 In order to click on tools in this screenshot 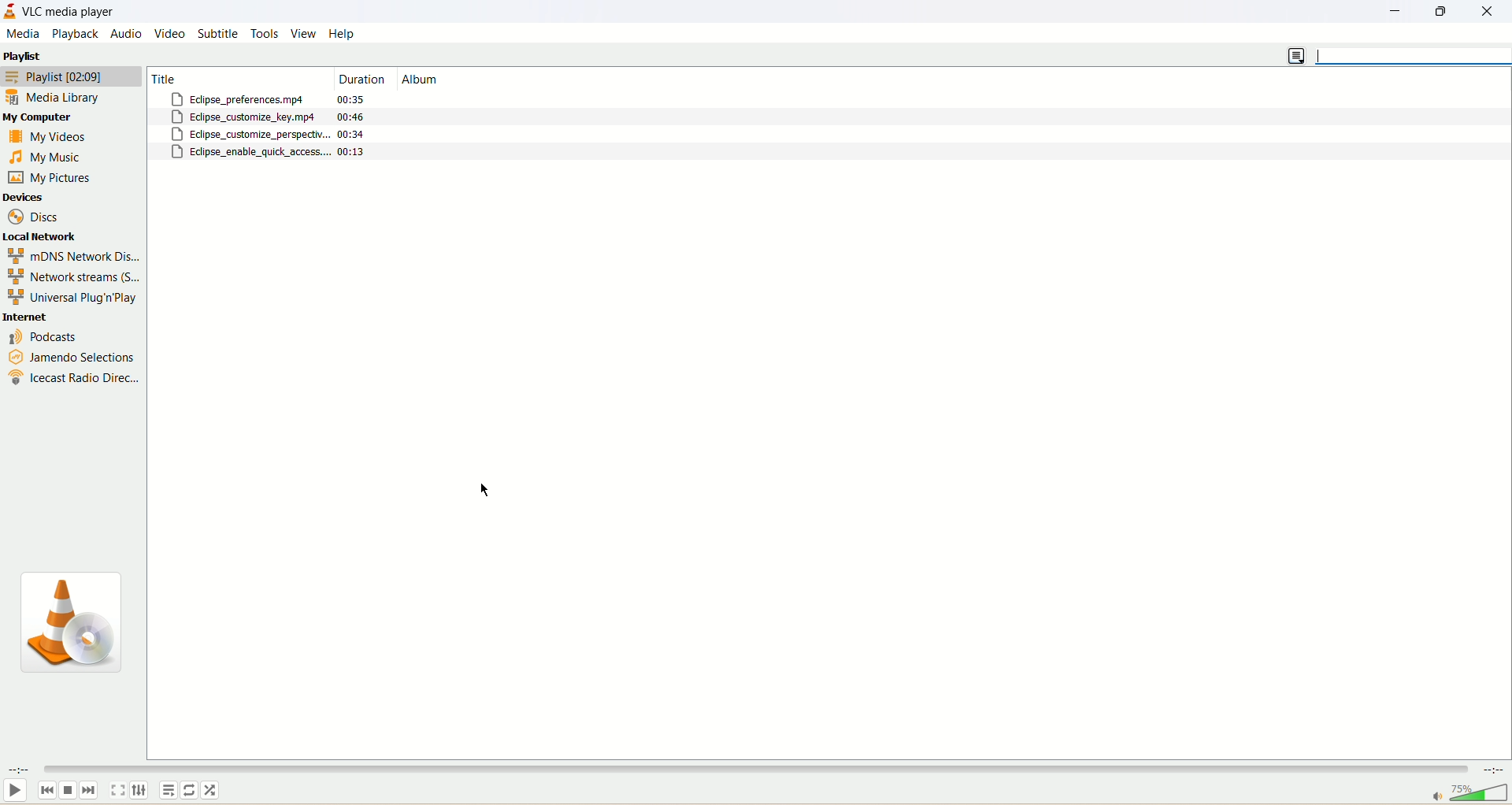, I will do `click(265, 33)`.